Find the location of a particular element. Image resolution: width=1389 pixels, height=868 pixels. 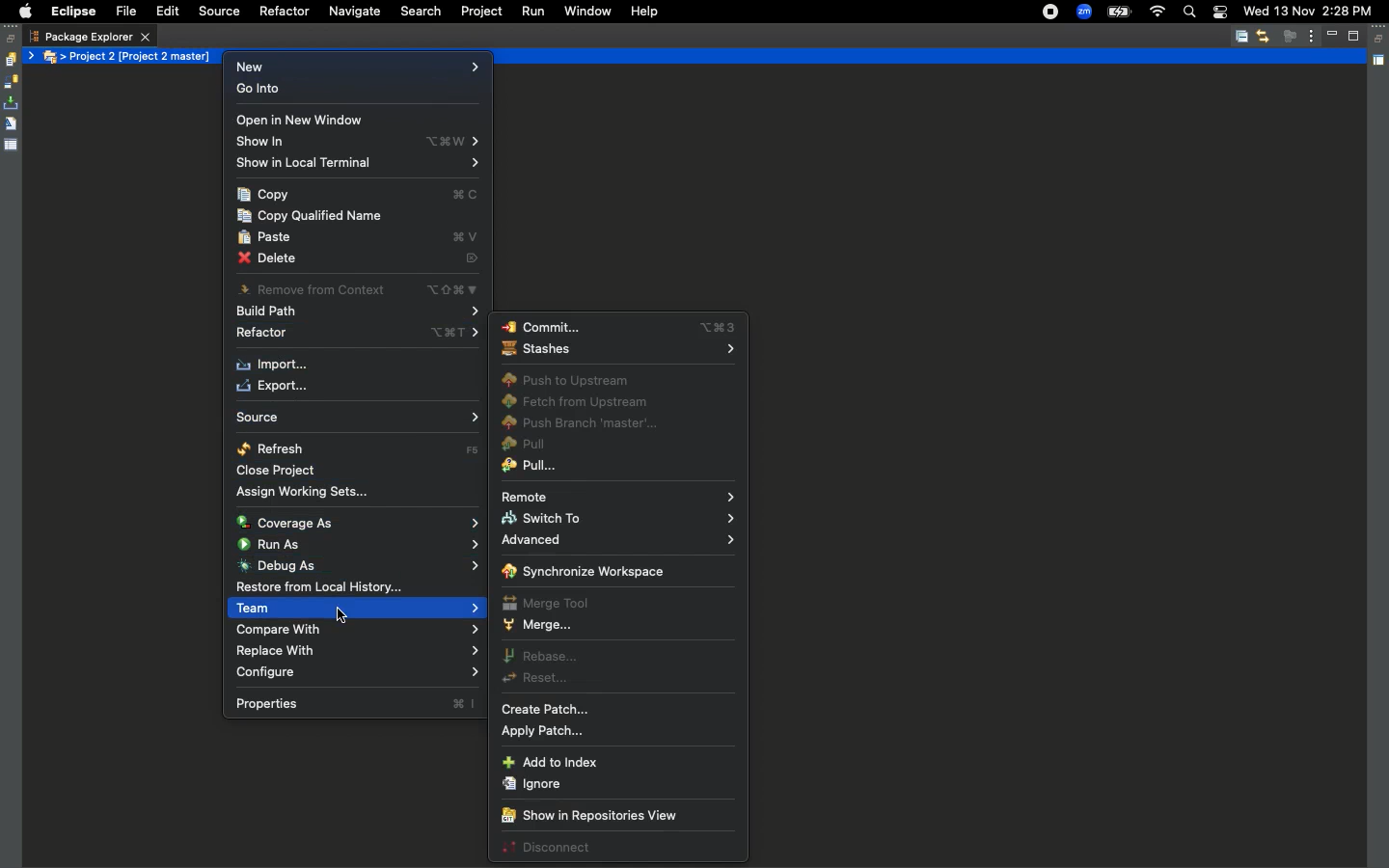

Switch to is located at coordinates (616, 519).